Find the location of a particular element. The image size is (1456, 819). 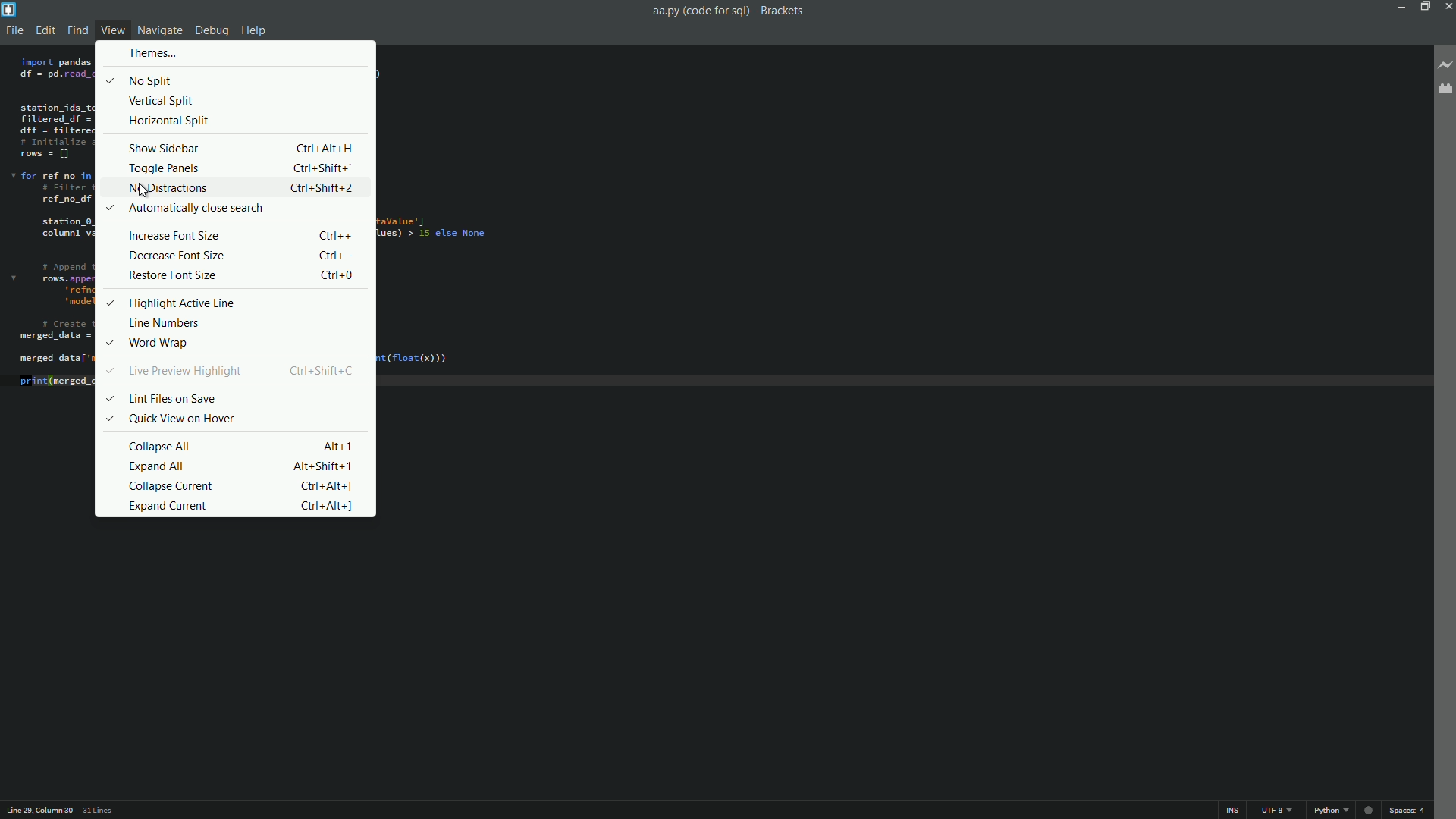

expand all Alt + shift + 1 is located at coordinates (243, 466).